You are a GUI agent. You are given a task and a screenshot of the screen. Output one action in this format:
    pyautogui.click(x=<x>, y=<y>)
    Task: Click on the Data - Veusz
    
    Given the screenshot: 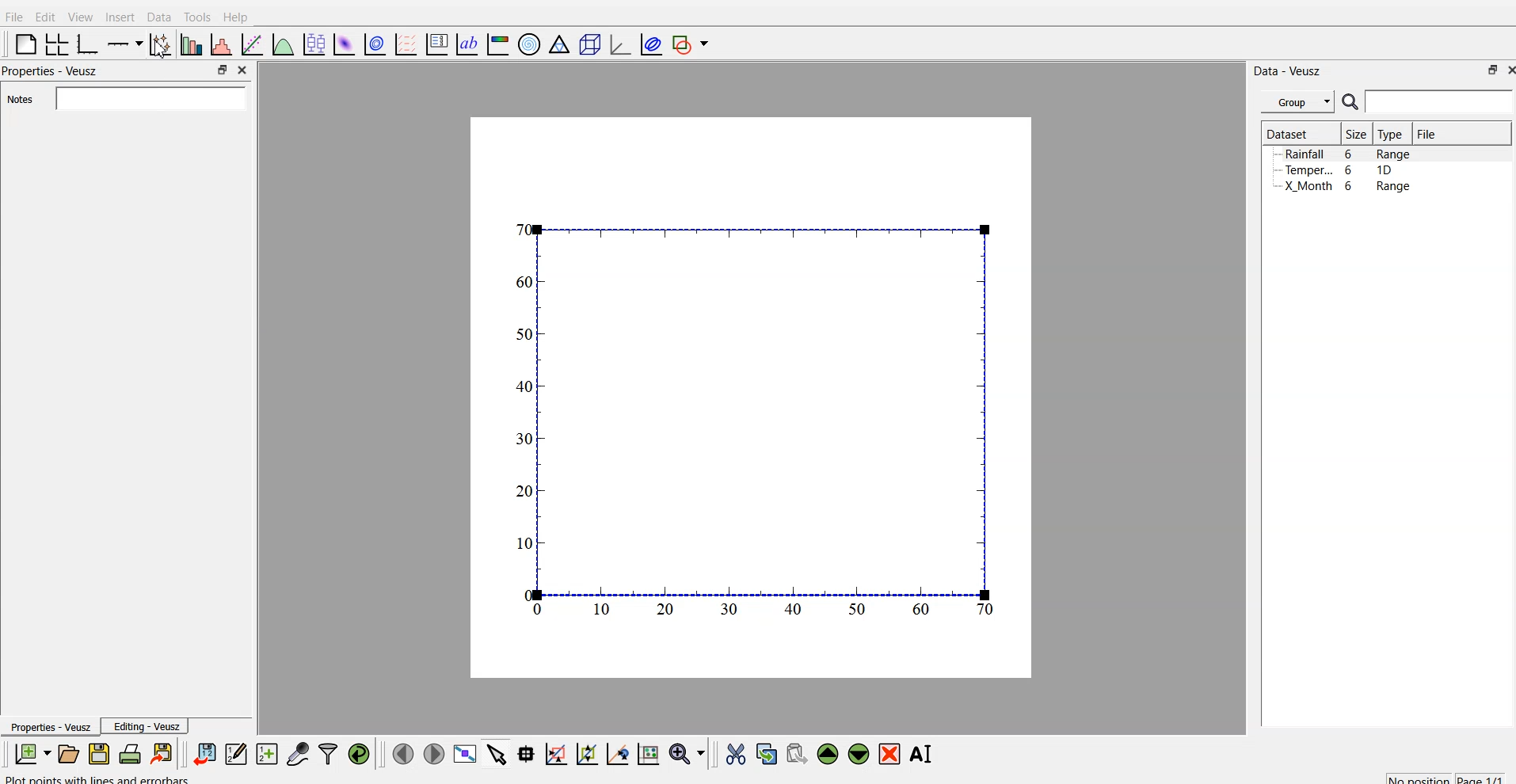 What is the action you would take?
    pyautogui.click(x=1289, y=70)
    